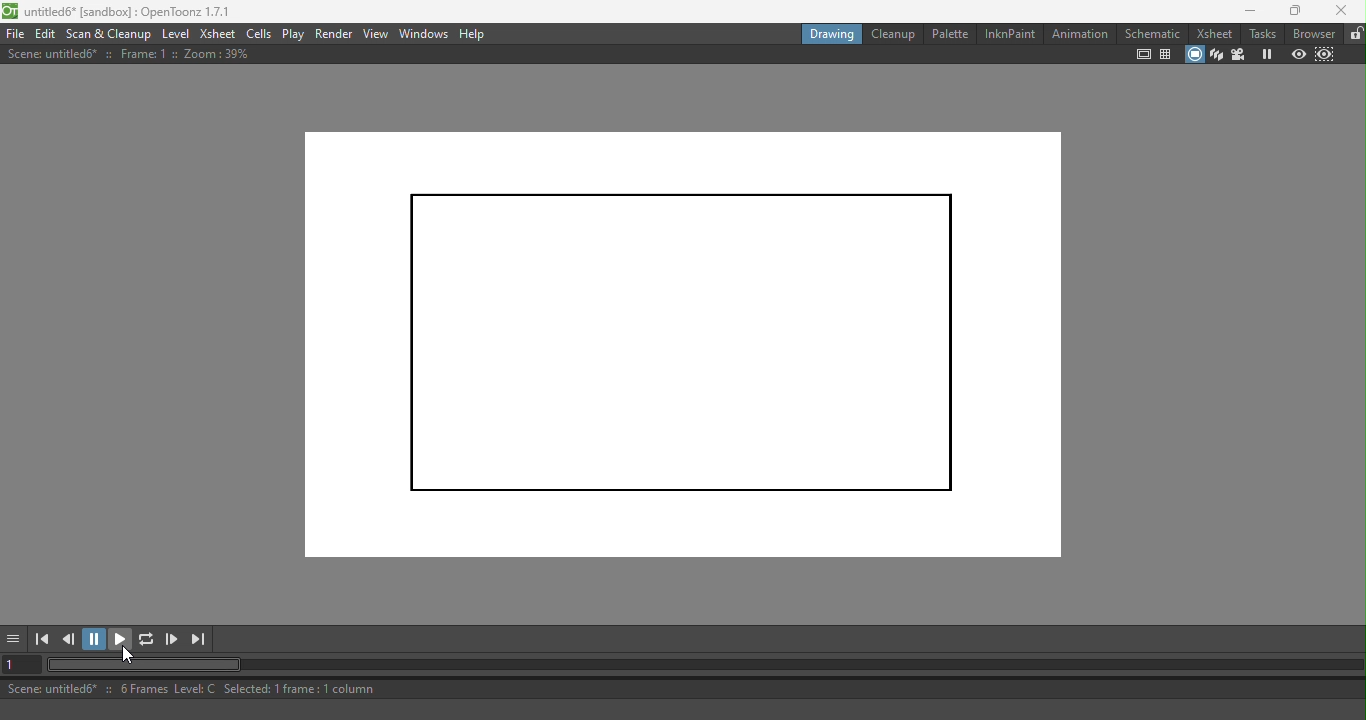  Describe the element at coordinates (122, 640) in the screenshot. I see `Play` at that location.